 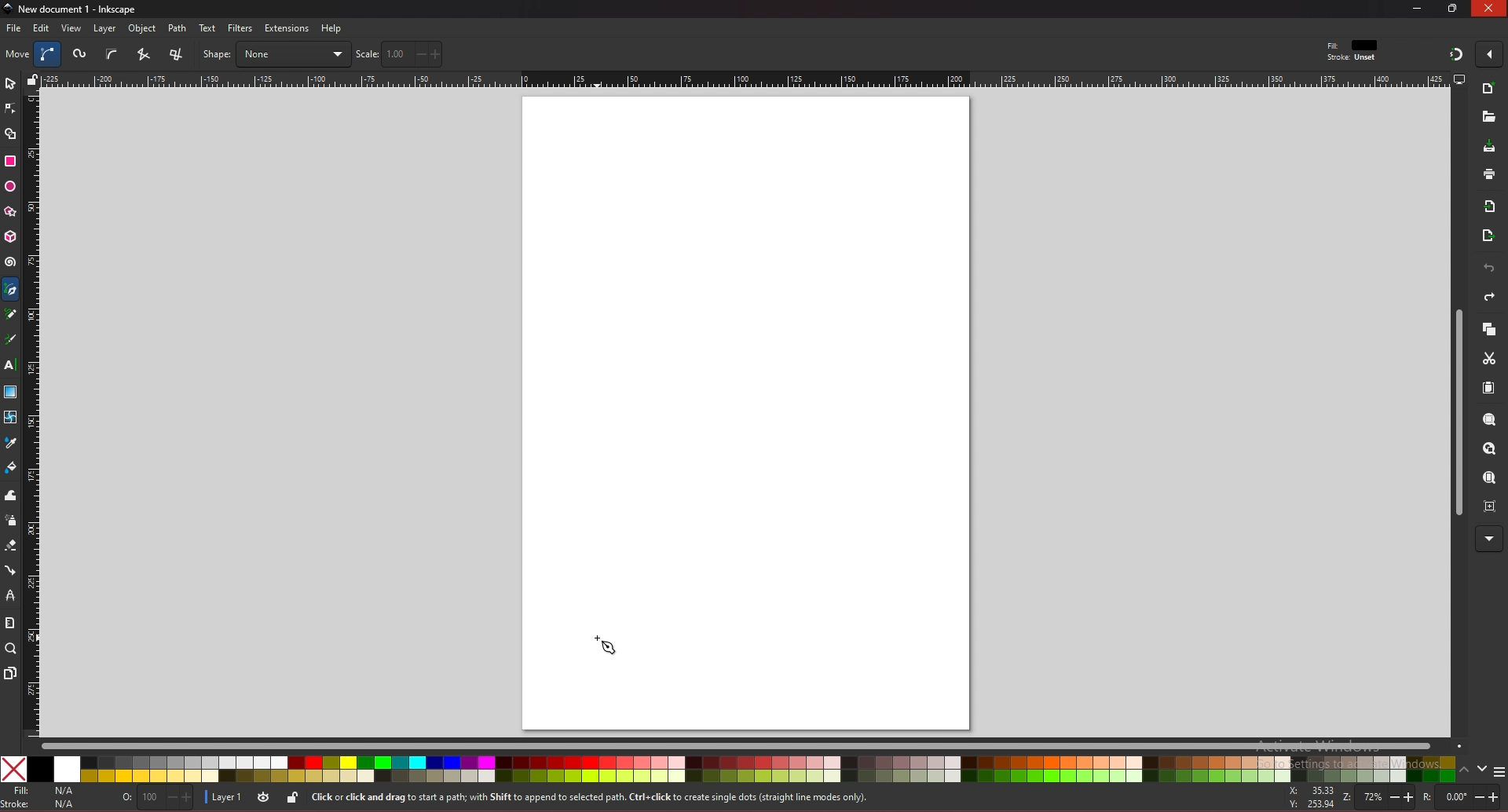 What do you see at coordinates (9, 365) in the screenshot?
I see `text` at bounding box center [9, 365].